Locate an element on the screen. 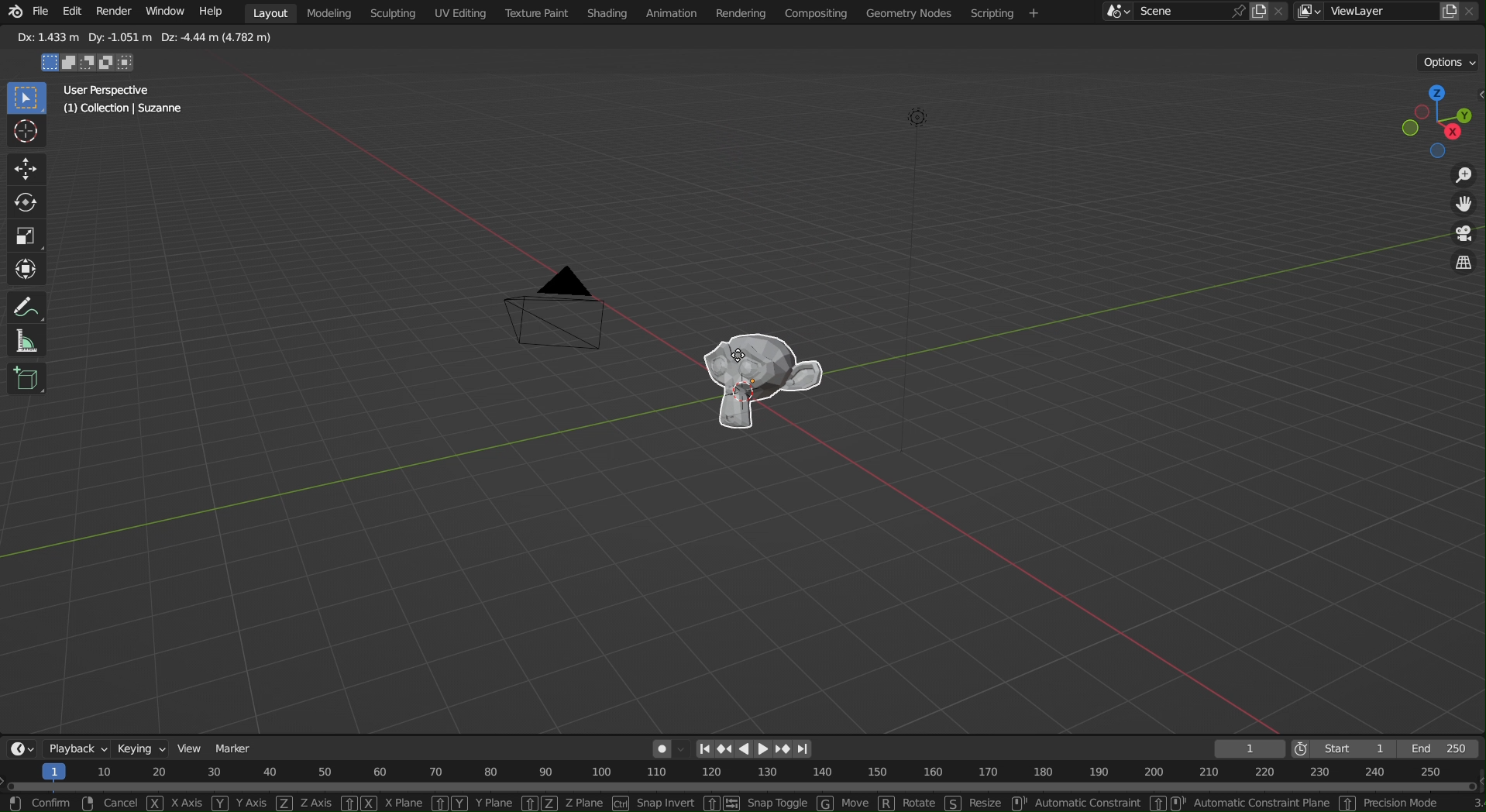 The height and width of the screenshot is (812, 1486). Shading is located at coordinates (608, 12).